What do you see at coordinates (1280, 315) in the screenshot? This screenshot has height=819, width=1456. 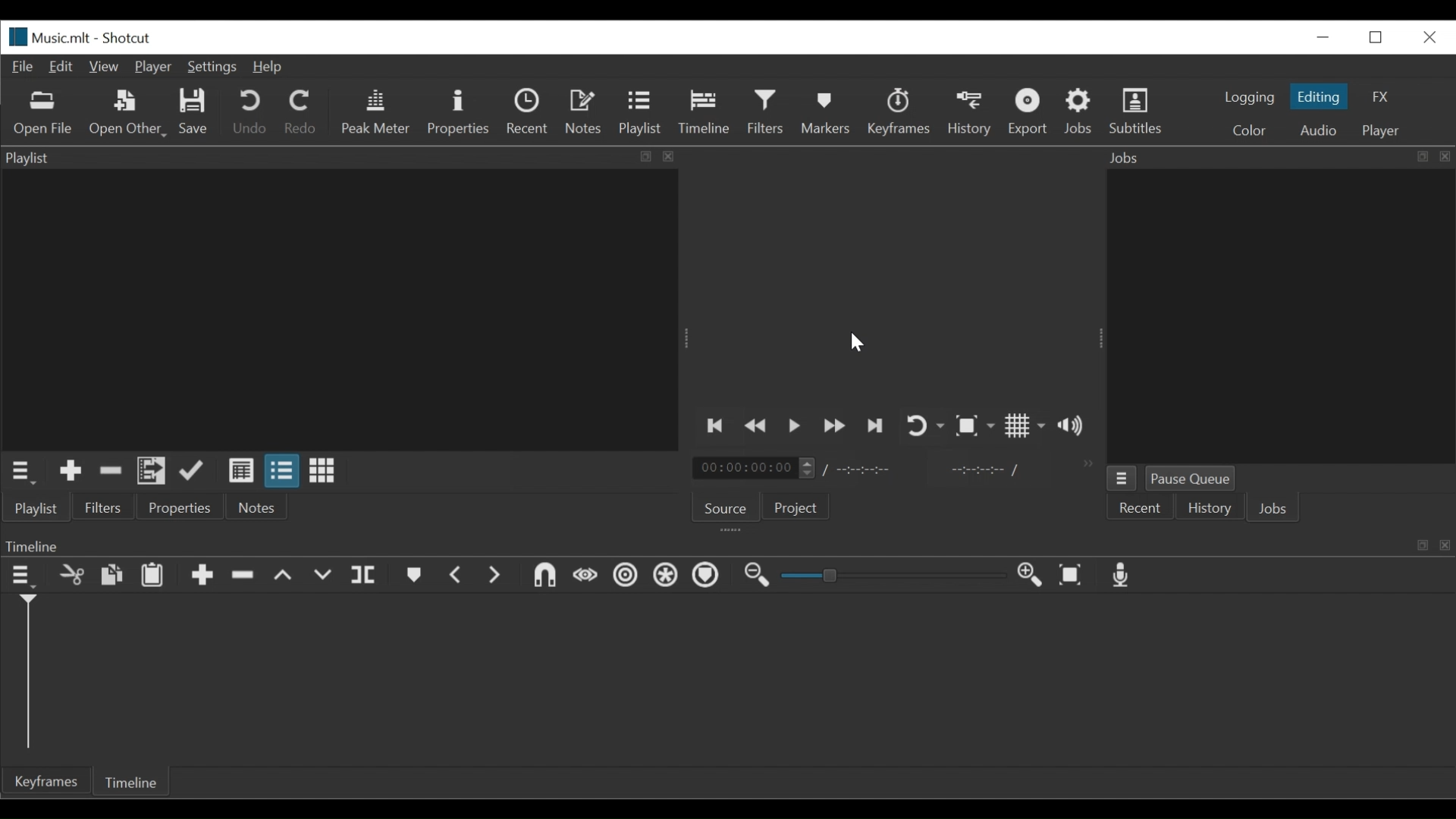 I see `Jobs Panel` at bounding box center [1280, 315].